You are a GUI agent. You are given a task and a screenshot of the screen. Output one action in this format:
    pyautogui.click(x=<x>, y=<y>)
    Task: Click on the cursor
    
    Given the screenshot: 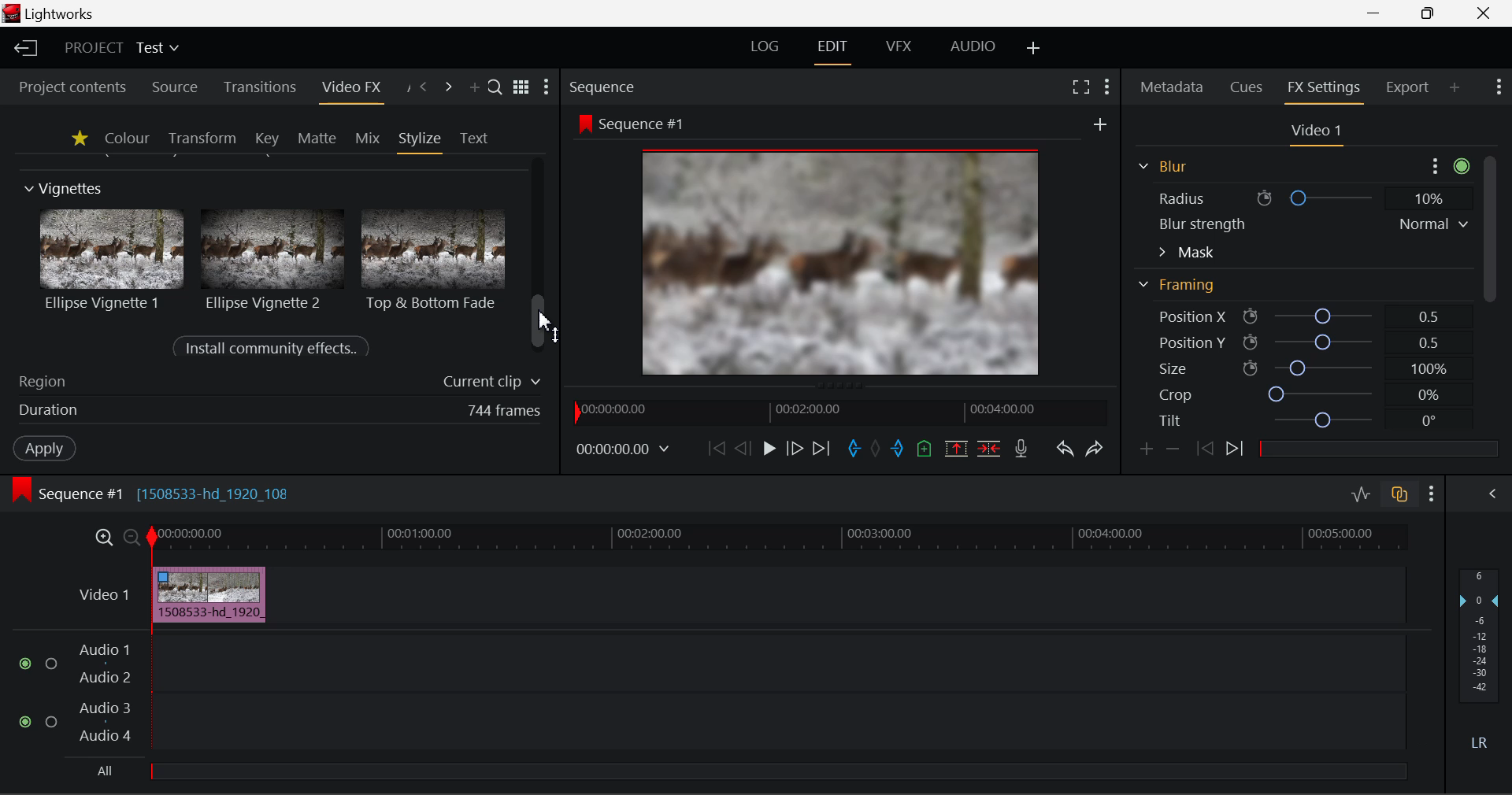 What is the action you would take?
    pyautogui.click(x=189, y=592)
    